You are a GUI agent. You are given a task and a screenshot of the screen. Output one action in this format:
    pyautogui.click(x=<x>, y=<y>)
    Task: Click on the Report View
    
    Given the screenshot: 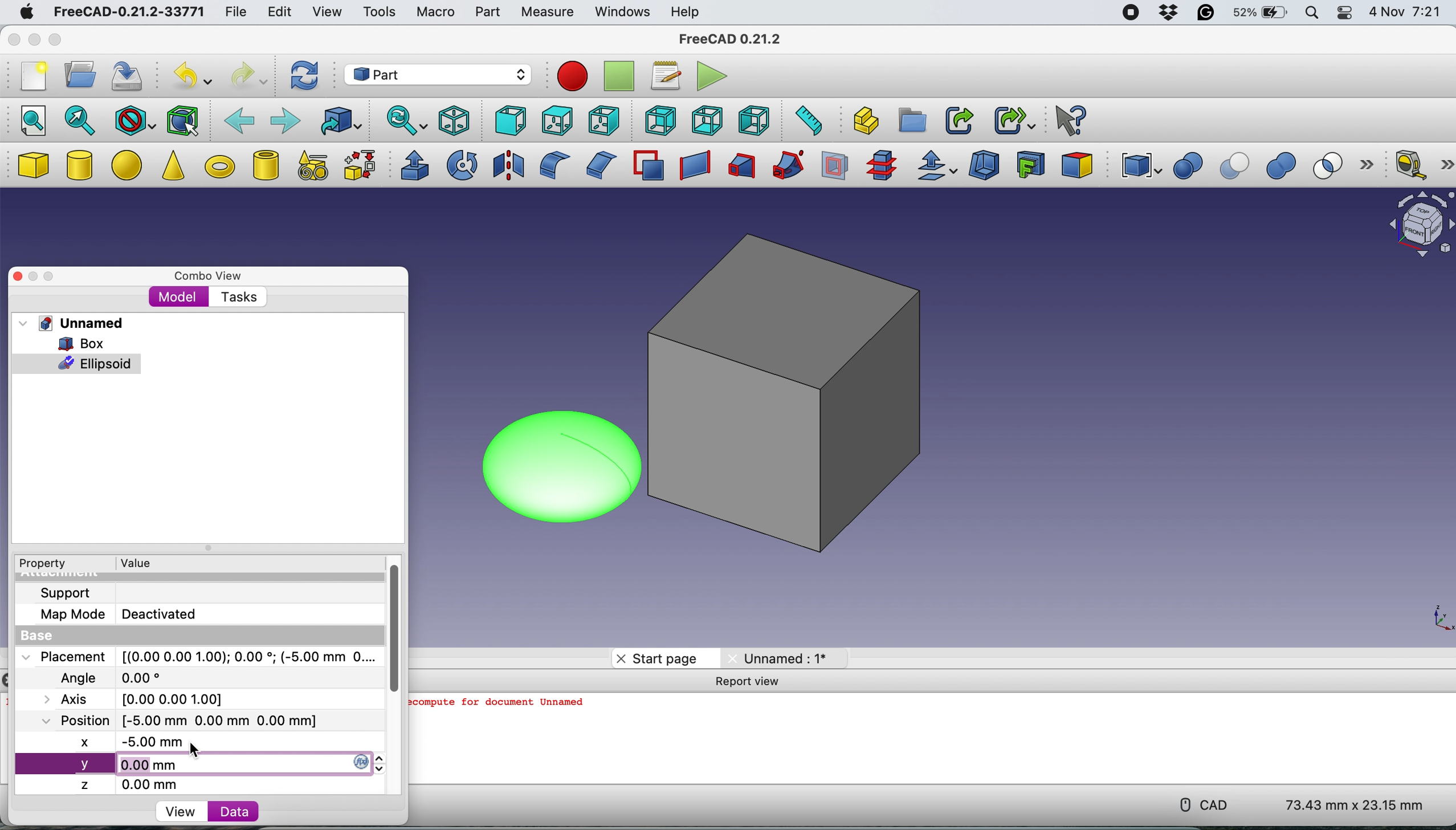 What is the action you would take?
    pyautogui.click(x=753, y=682)
    